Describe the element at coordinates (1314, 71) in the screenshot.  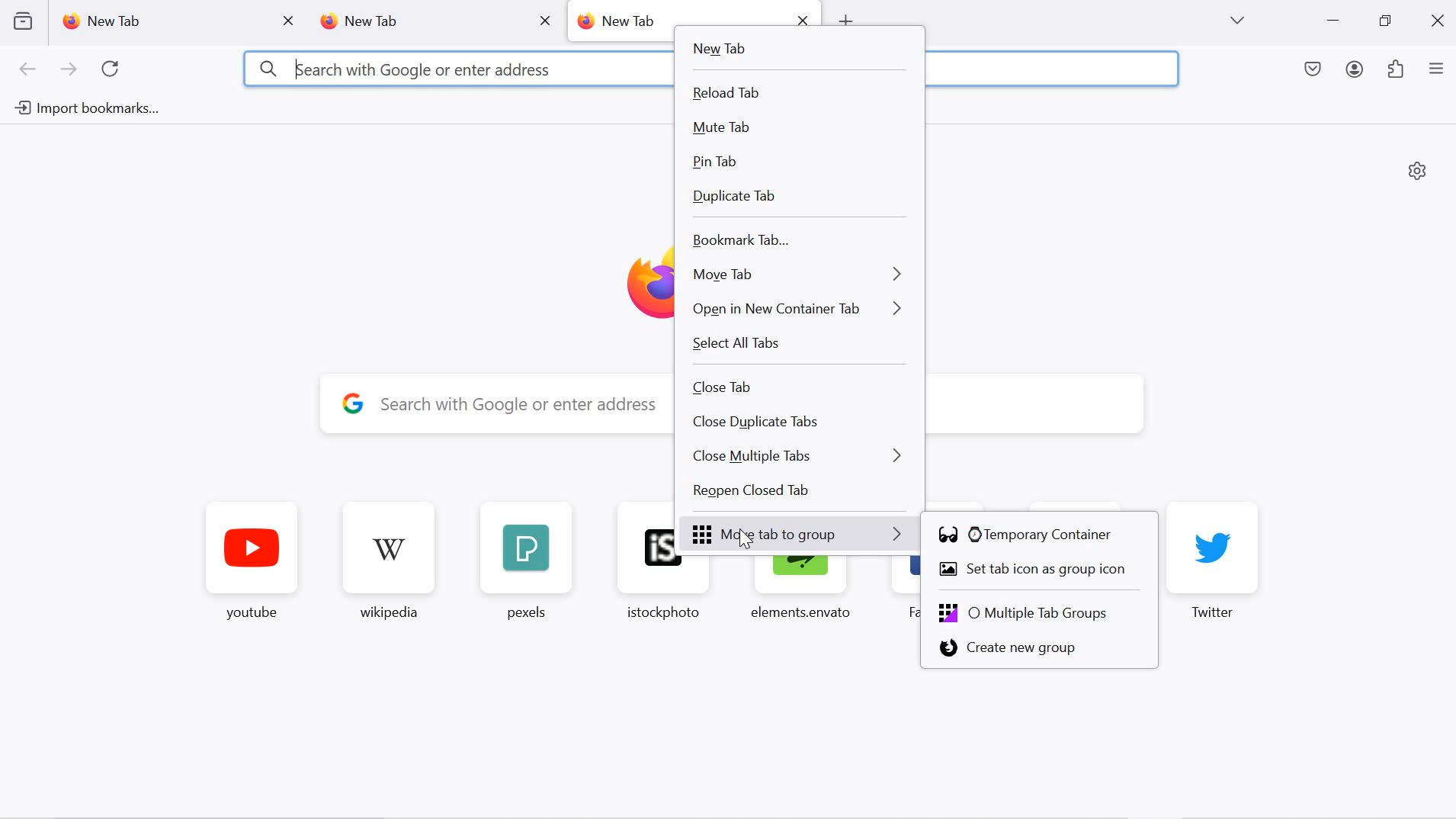
I see `save to pocket` at that location.